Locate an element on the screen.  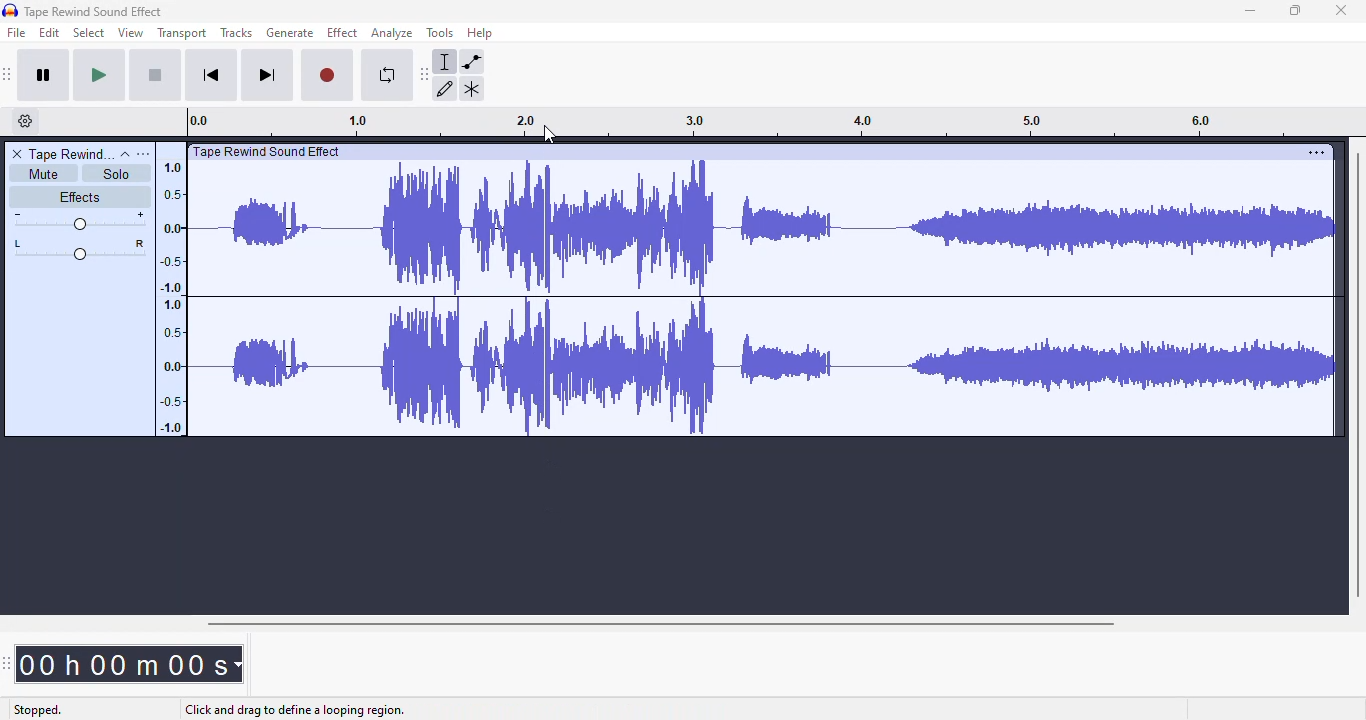
audacity time toolbar is located at coordinates (7, 662).